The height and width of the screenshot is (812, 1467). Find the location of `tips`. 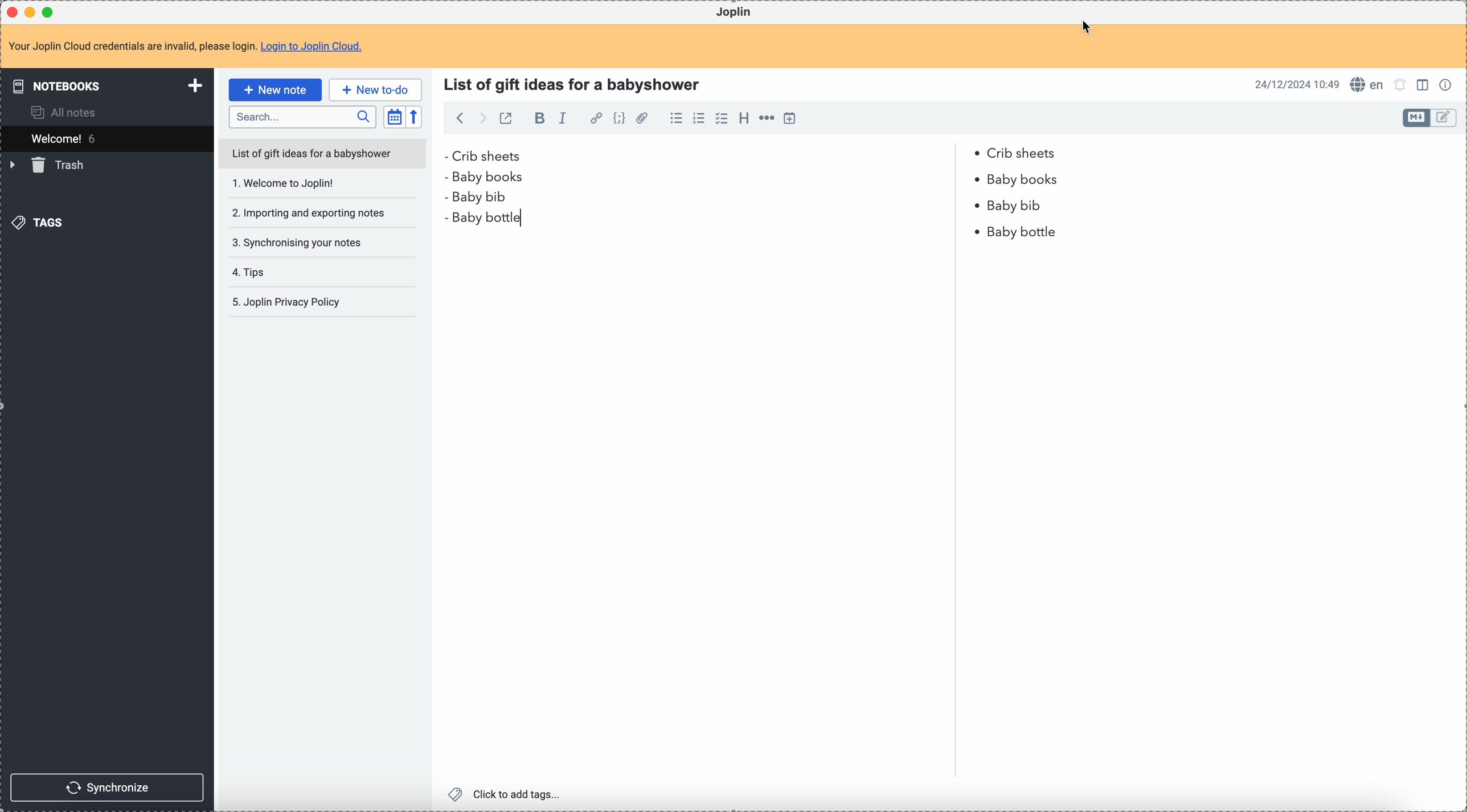

tips is located at coordinates (284, 272).